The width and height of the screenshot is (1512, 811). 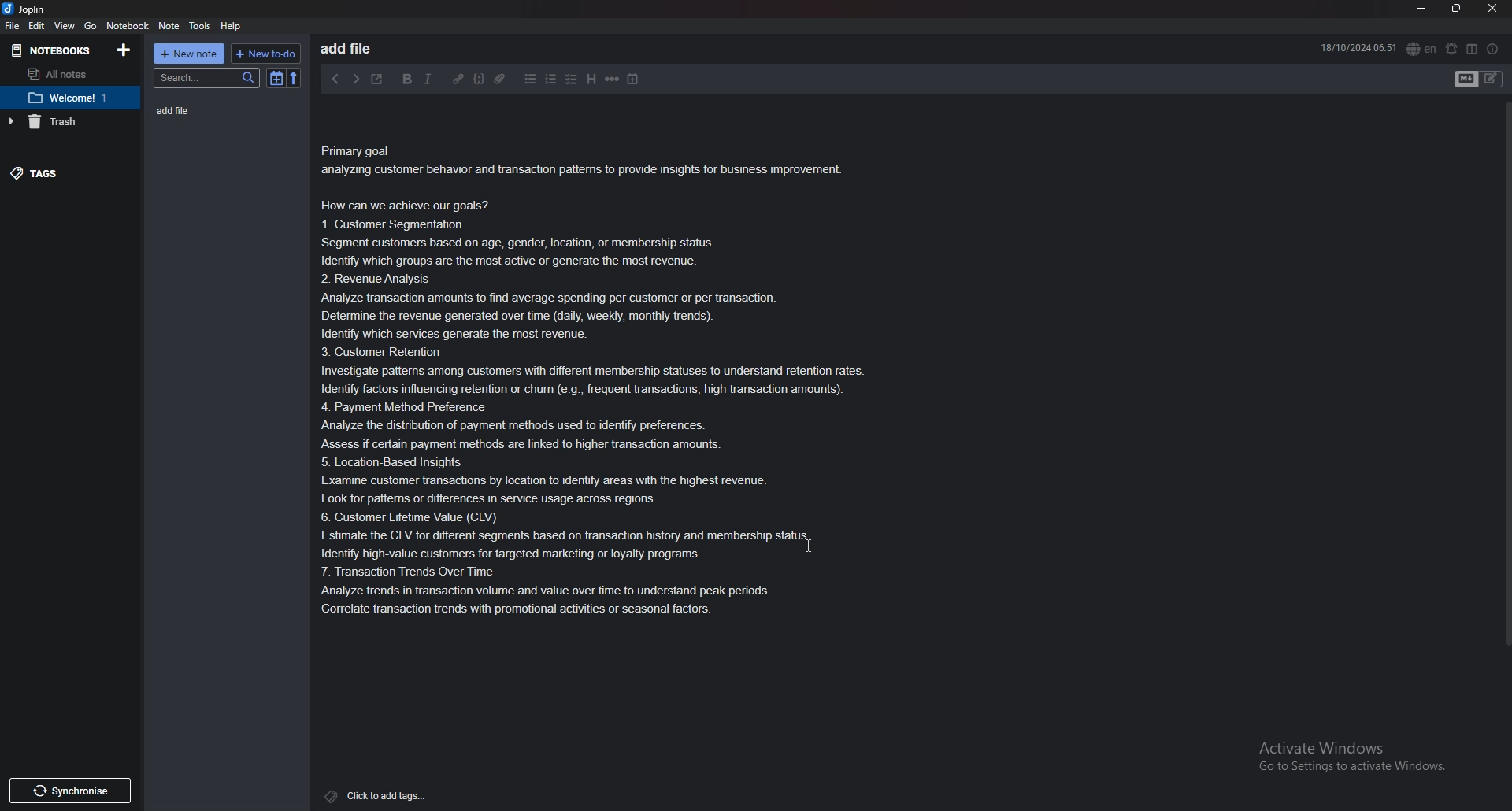 I want to click on Italic, so click(x=425, y=79).